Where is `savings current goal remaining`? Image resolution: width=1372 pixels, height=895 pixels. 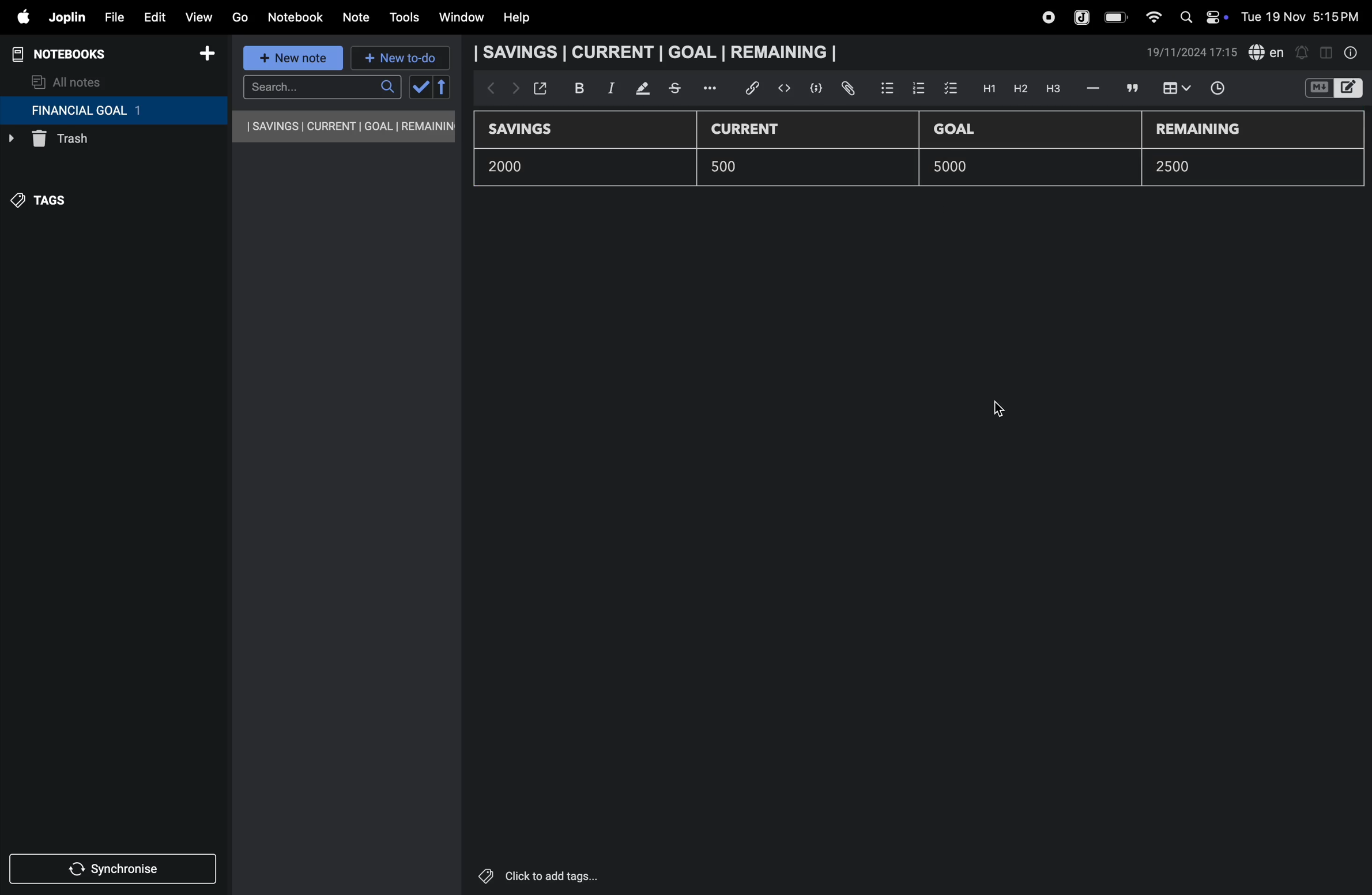
savings current goal remaining is located at coordinates (345, 126).